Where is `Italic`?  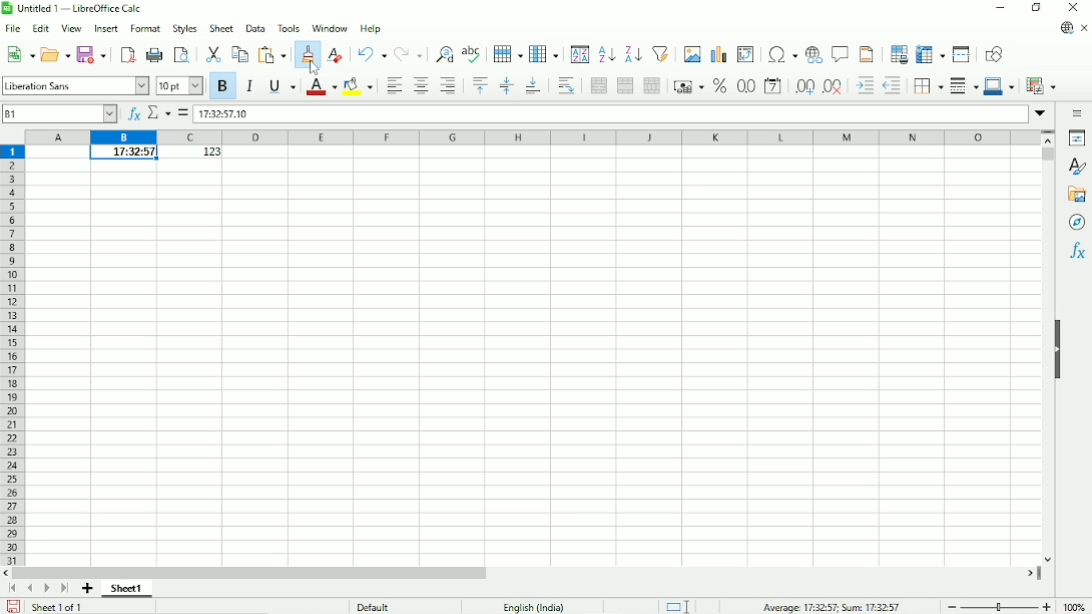 Italic is located at coordinates (248, 86).